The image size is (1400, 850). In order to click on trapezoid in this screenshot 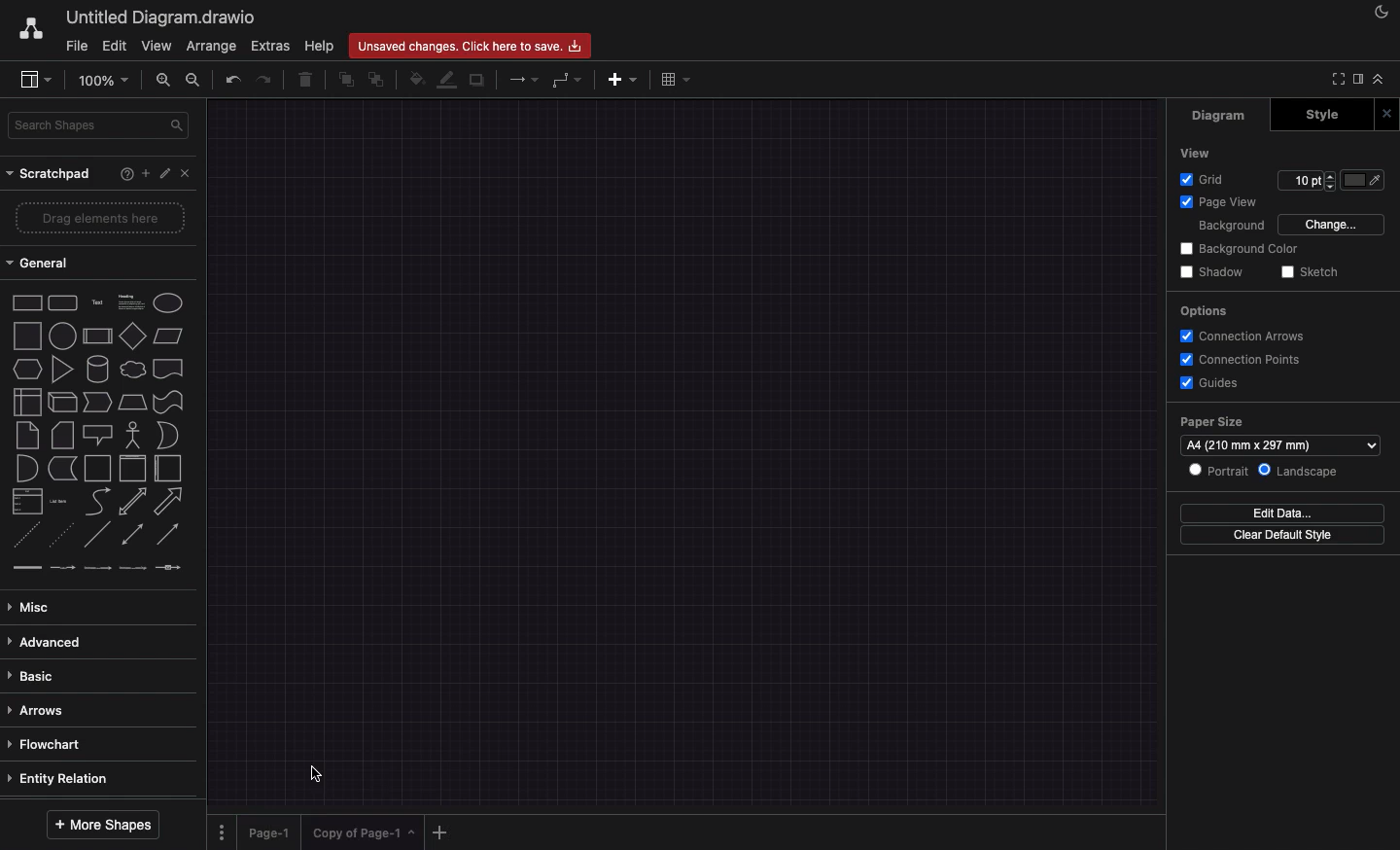, I will do `click(132, 403)`.